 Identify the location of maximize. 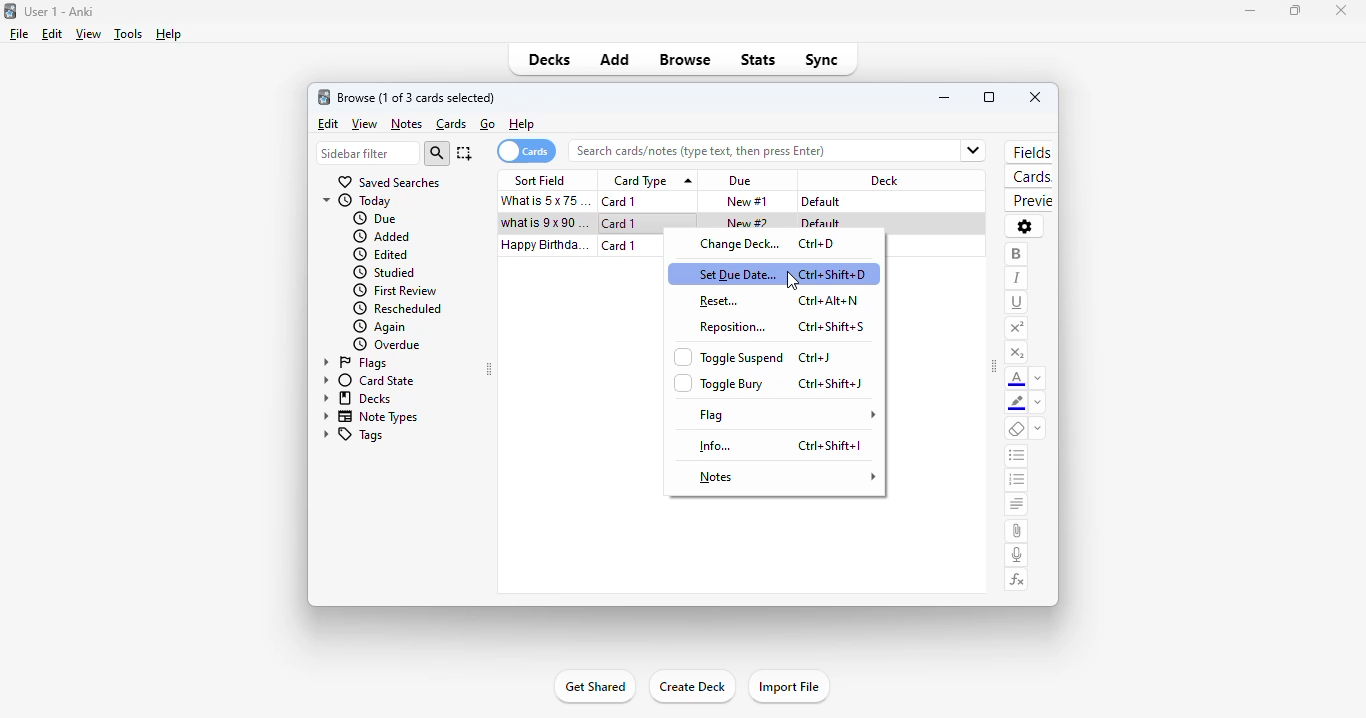
(989, 97).